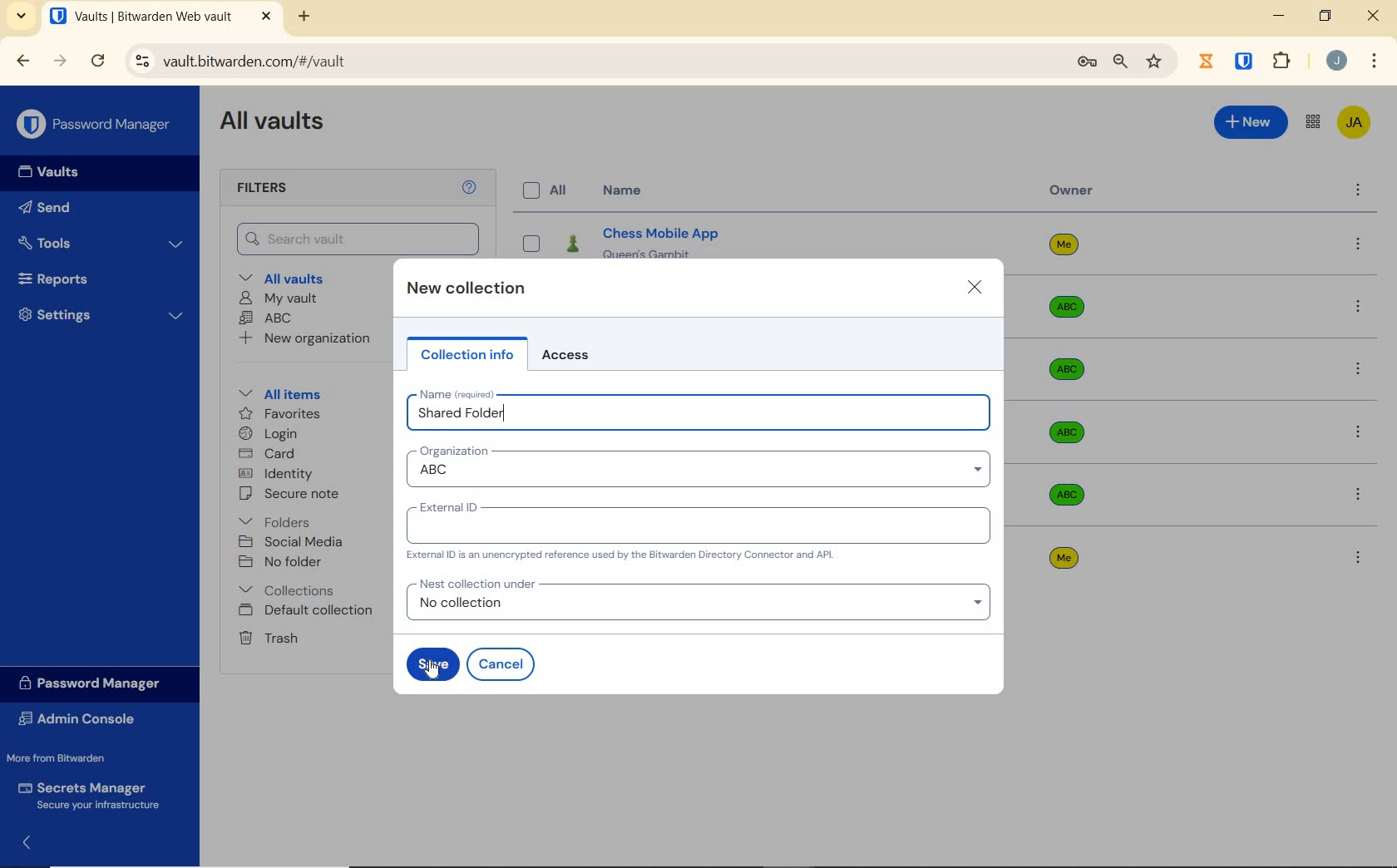 The height and width of the screenshot is (868, 1397). I want to click on login, so click(278, 434).